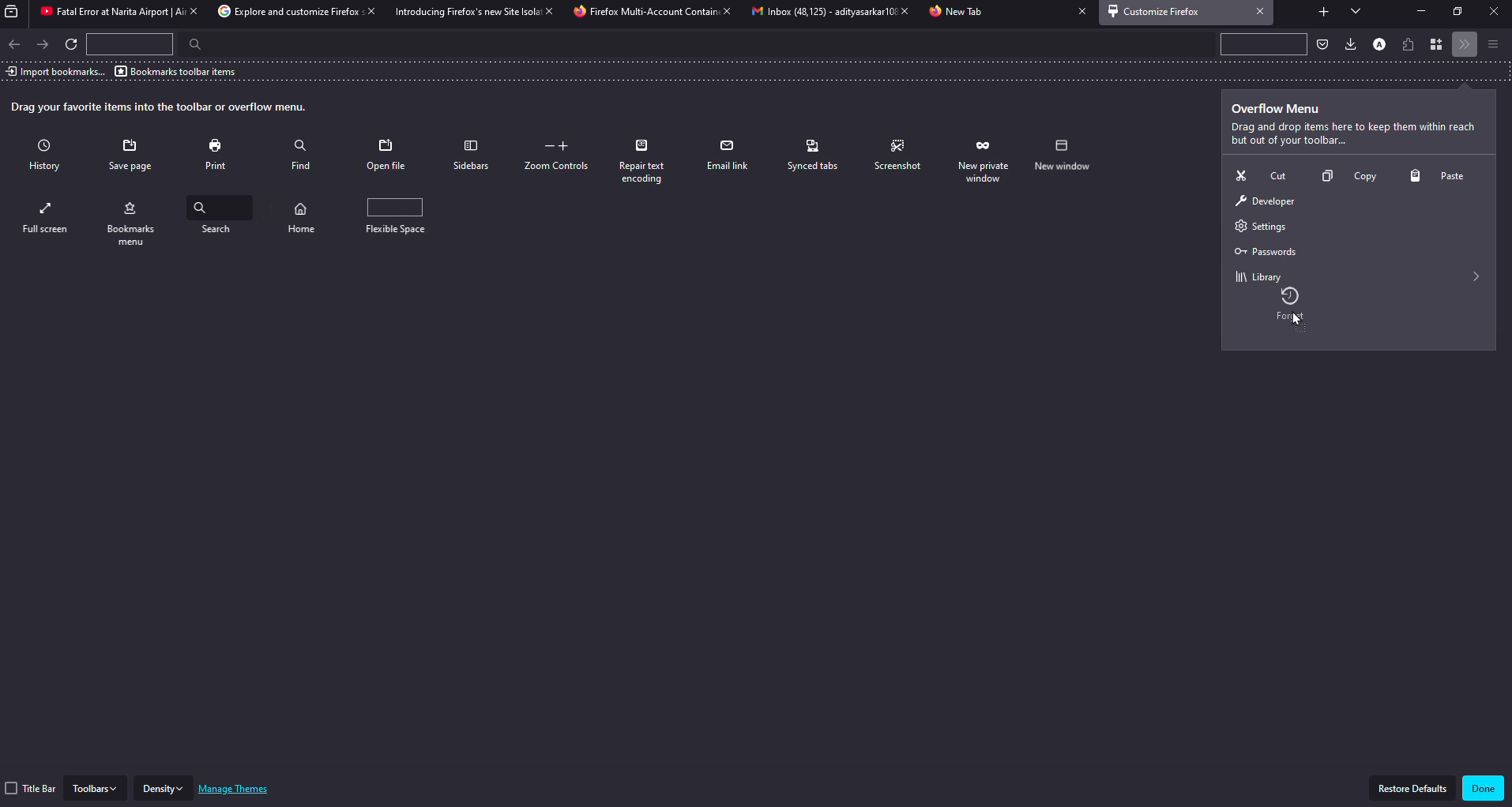 This screenshot has height=807, width=1512. What do you see at coordinates (1322, 9) in the screenshot?
I see `add` at bounding box center [1322, 9].